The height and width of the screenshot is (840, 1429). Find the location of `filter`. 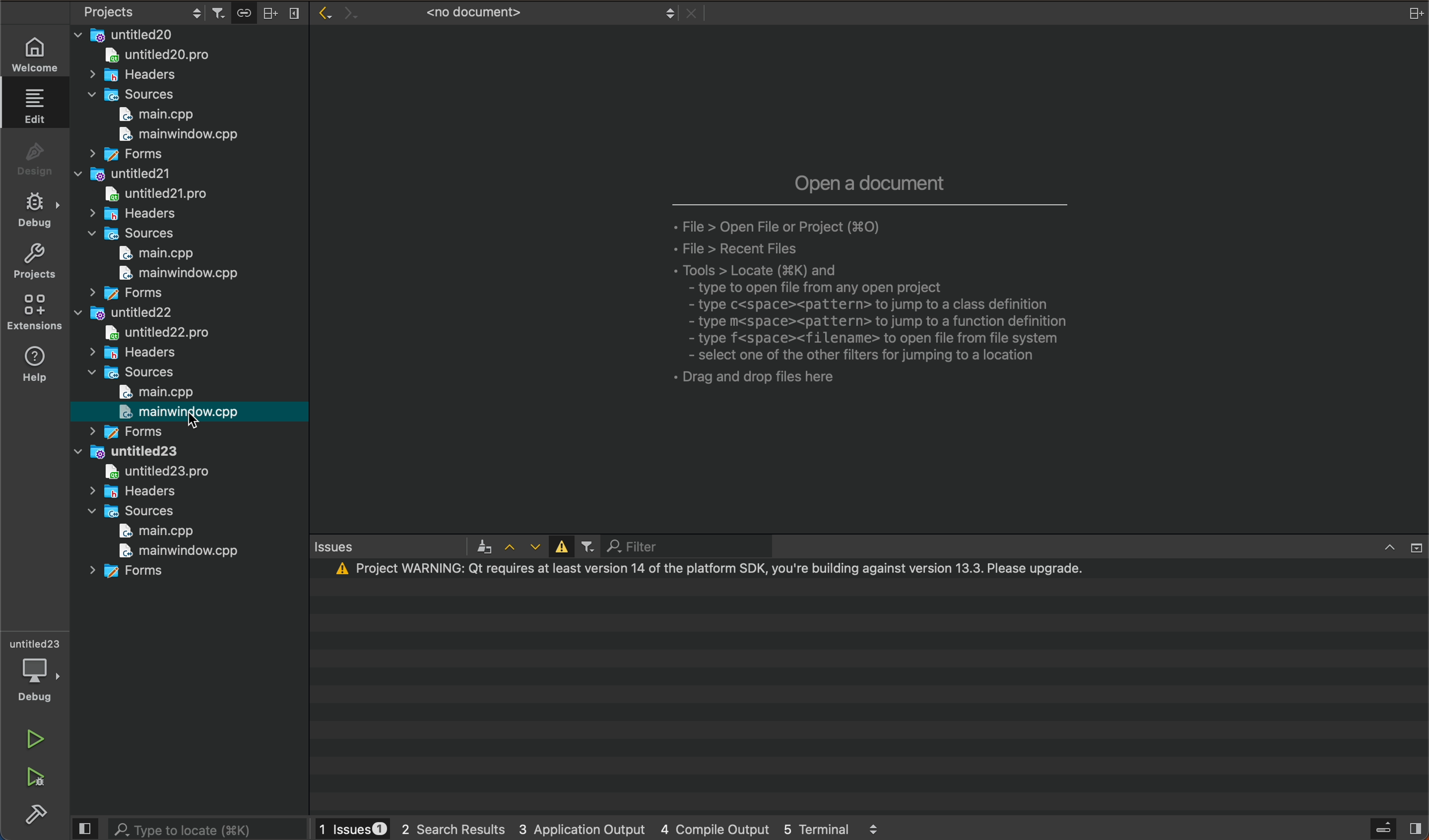

filter is located at coordinates (587, 548).